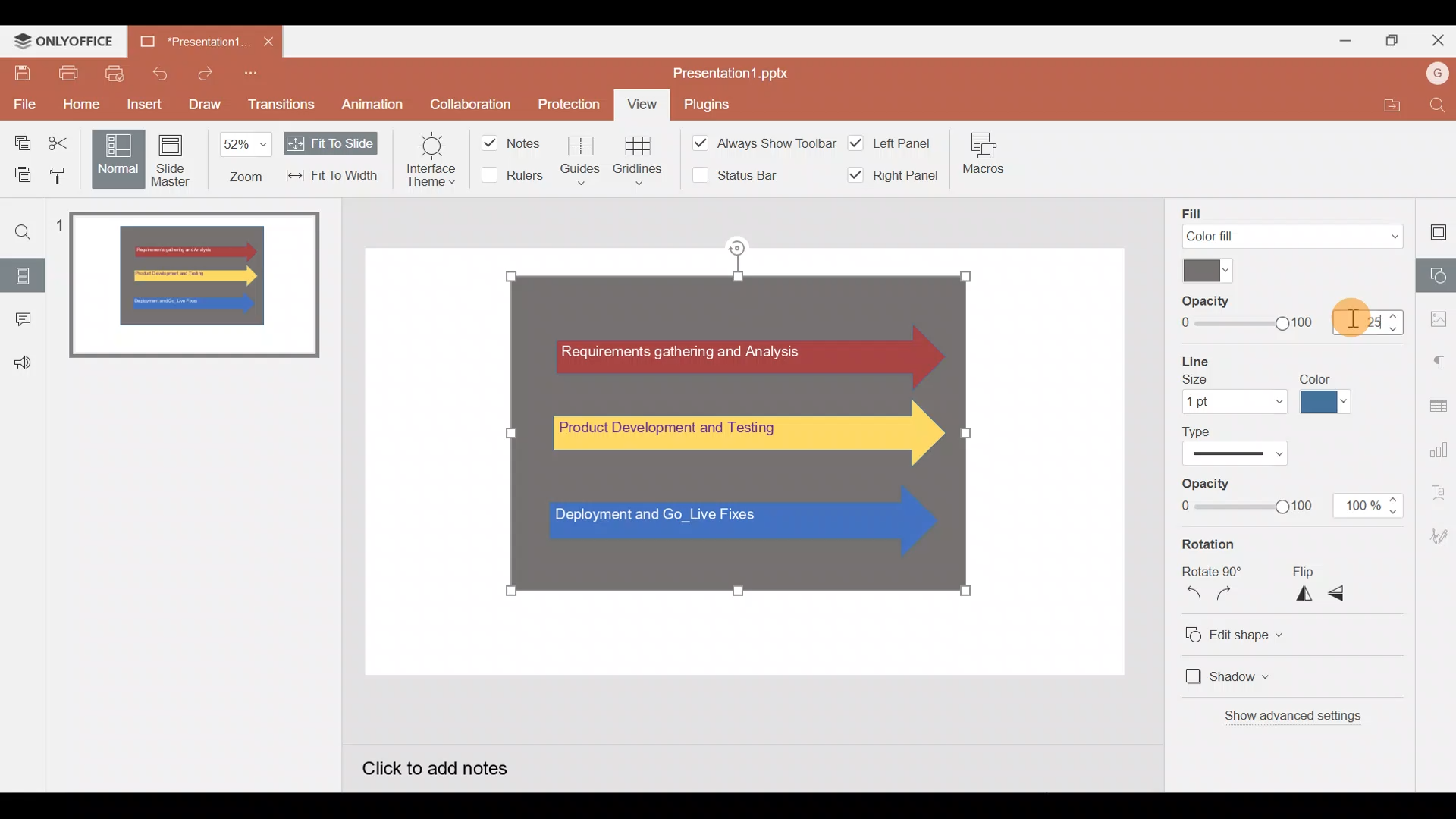 This screenshot has height=819, width=1456. I want to click on Flip, so click(1310, 572).